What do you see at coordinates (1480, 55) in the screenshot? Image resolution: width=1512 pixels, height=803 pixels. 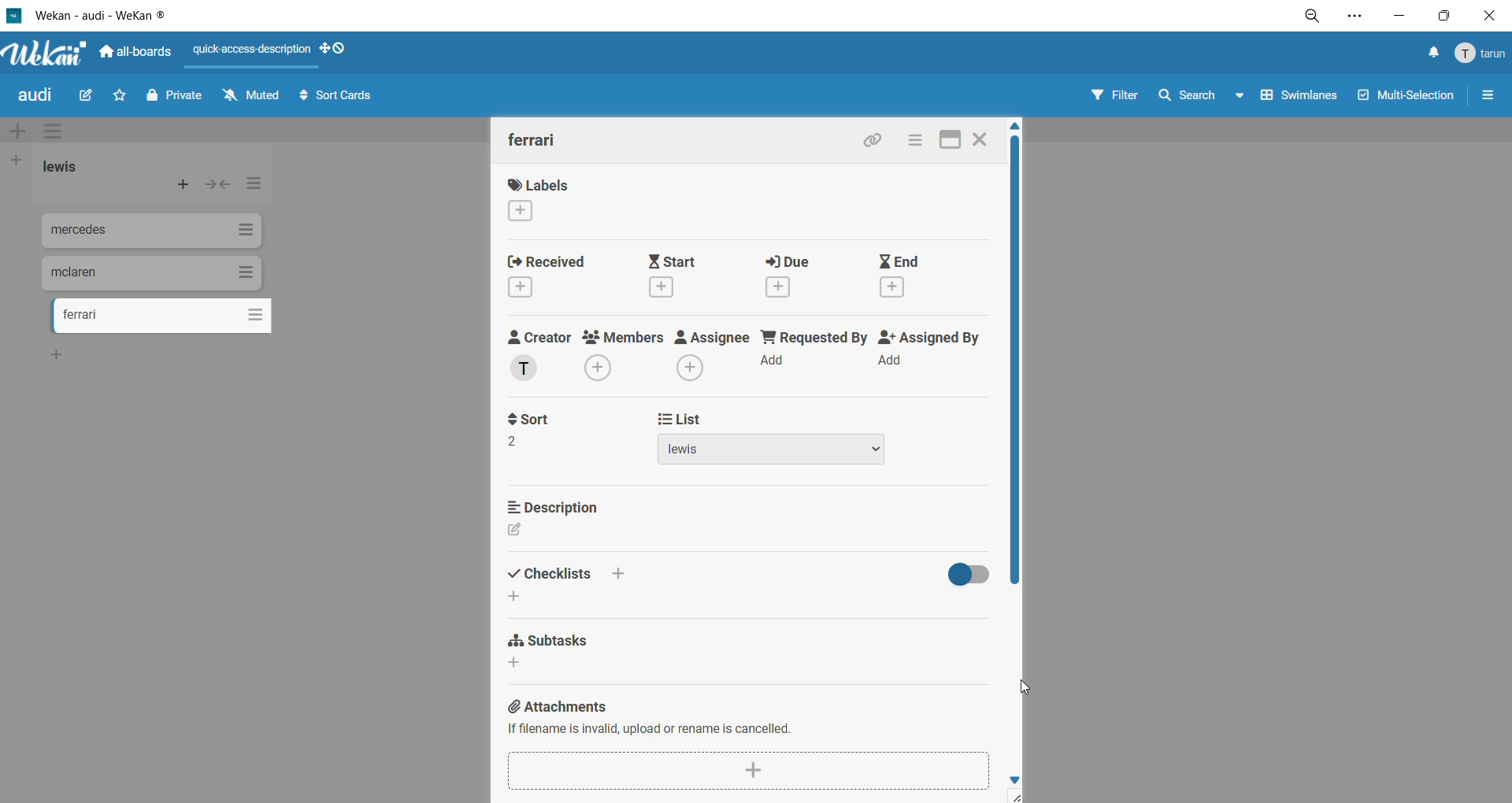 I see `menu` at bounding box center [1480, 55].